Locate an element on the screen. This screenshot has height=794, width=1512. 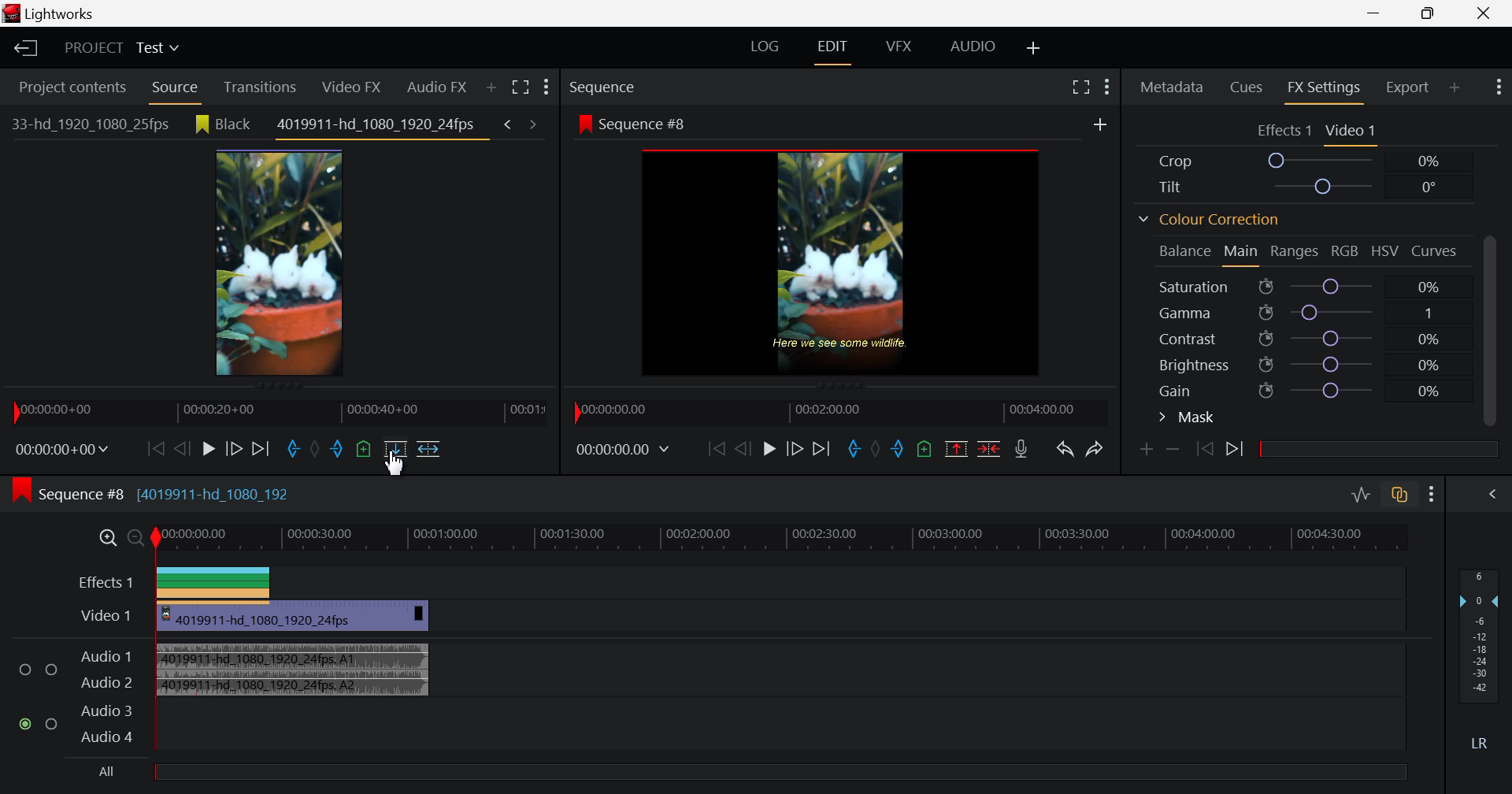
Project Timeline Navigator is located at coordinates (833, 410).